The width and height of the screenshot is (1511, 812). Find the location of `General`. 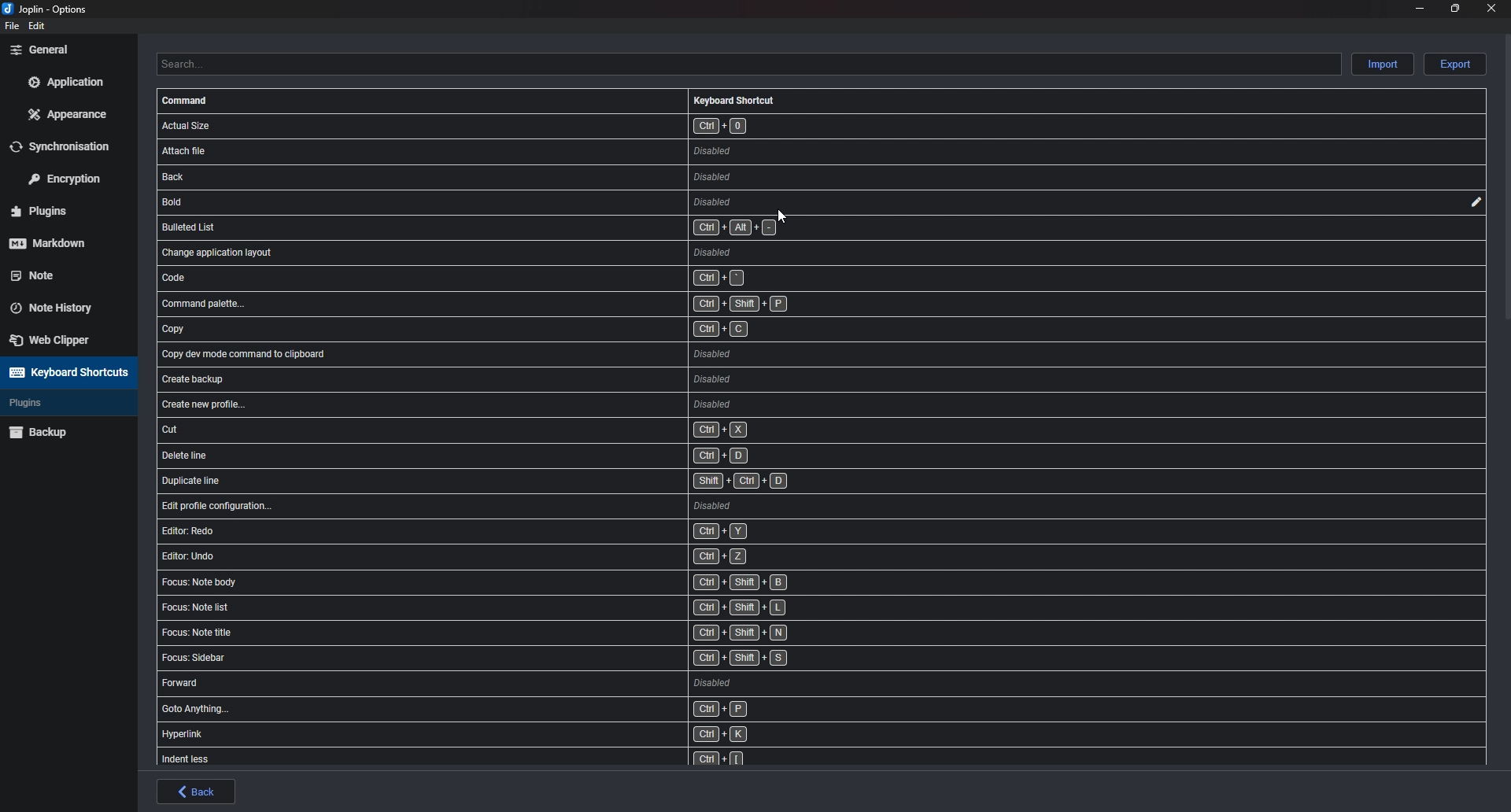

General is located at coordinates (65, 49).